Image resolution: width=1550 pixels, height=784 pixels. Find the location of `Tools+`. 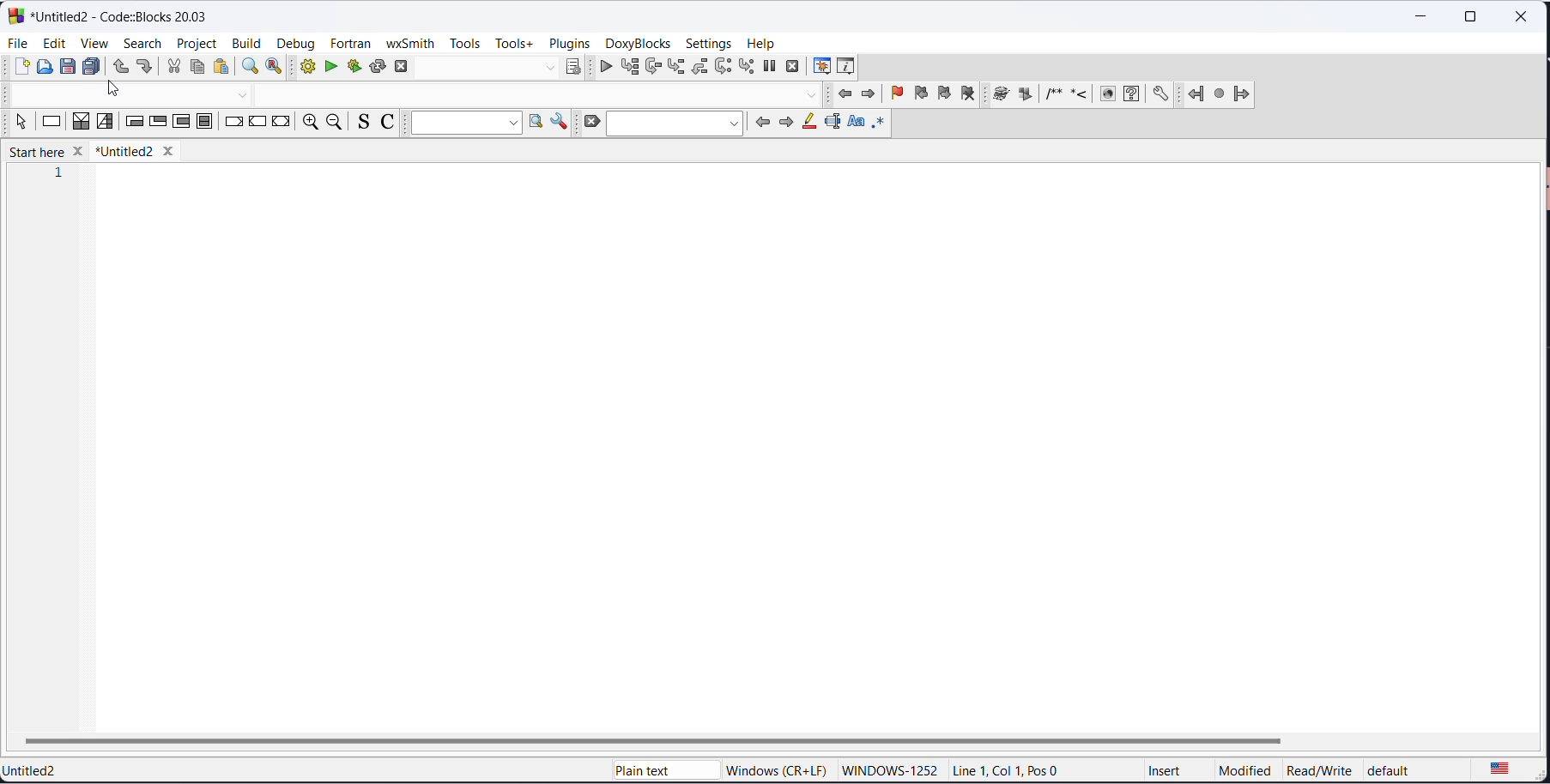

Tools+ is located at coordinates (514, 44).